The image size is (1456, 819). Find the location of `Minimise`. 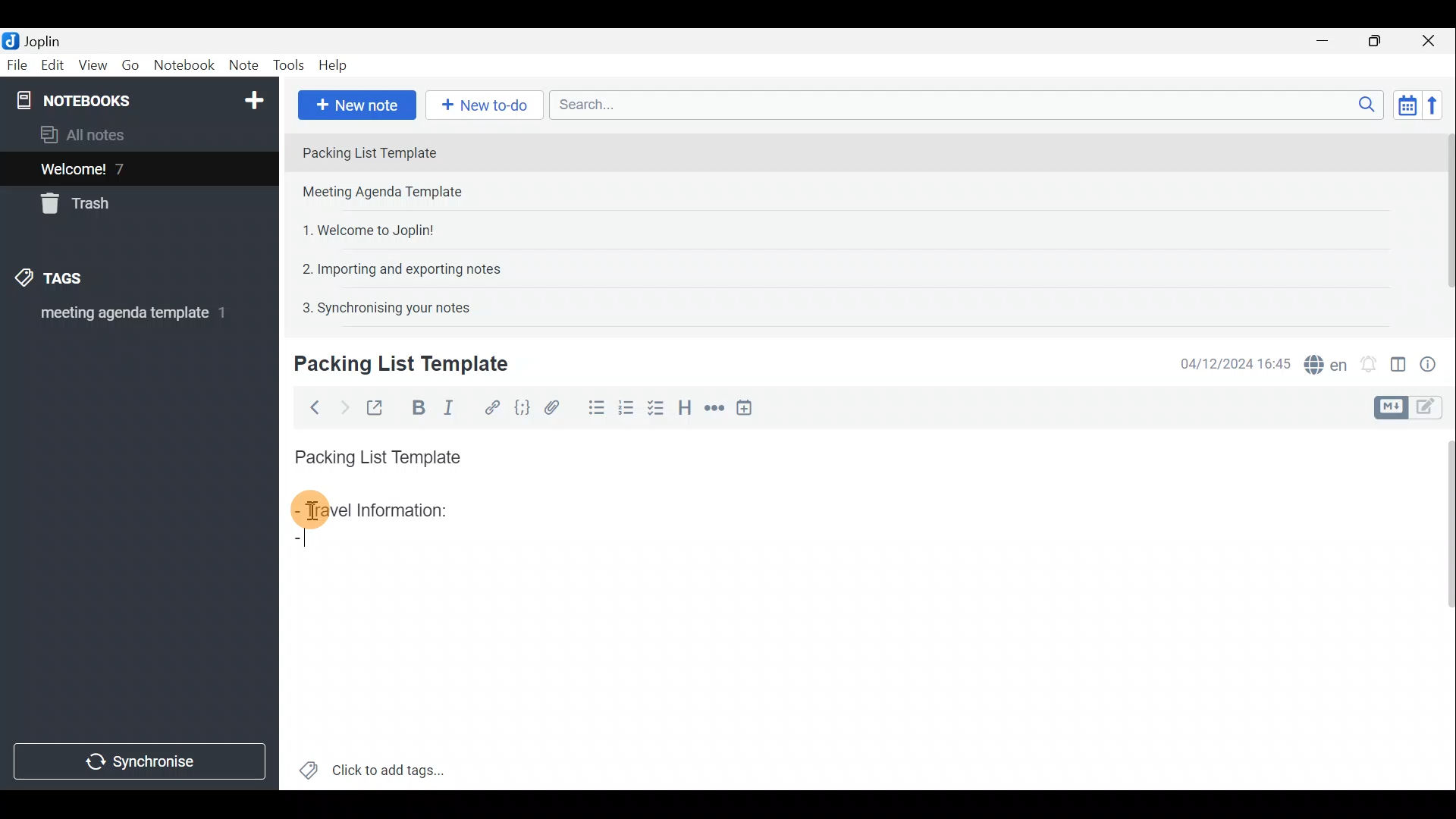

Minimise is located at coordinates (1330, 43).